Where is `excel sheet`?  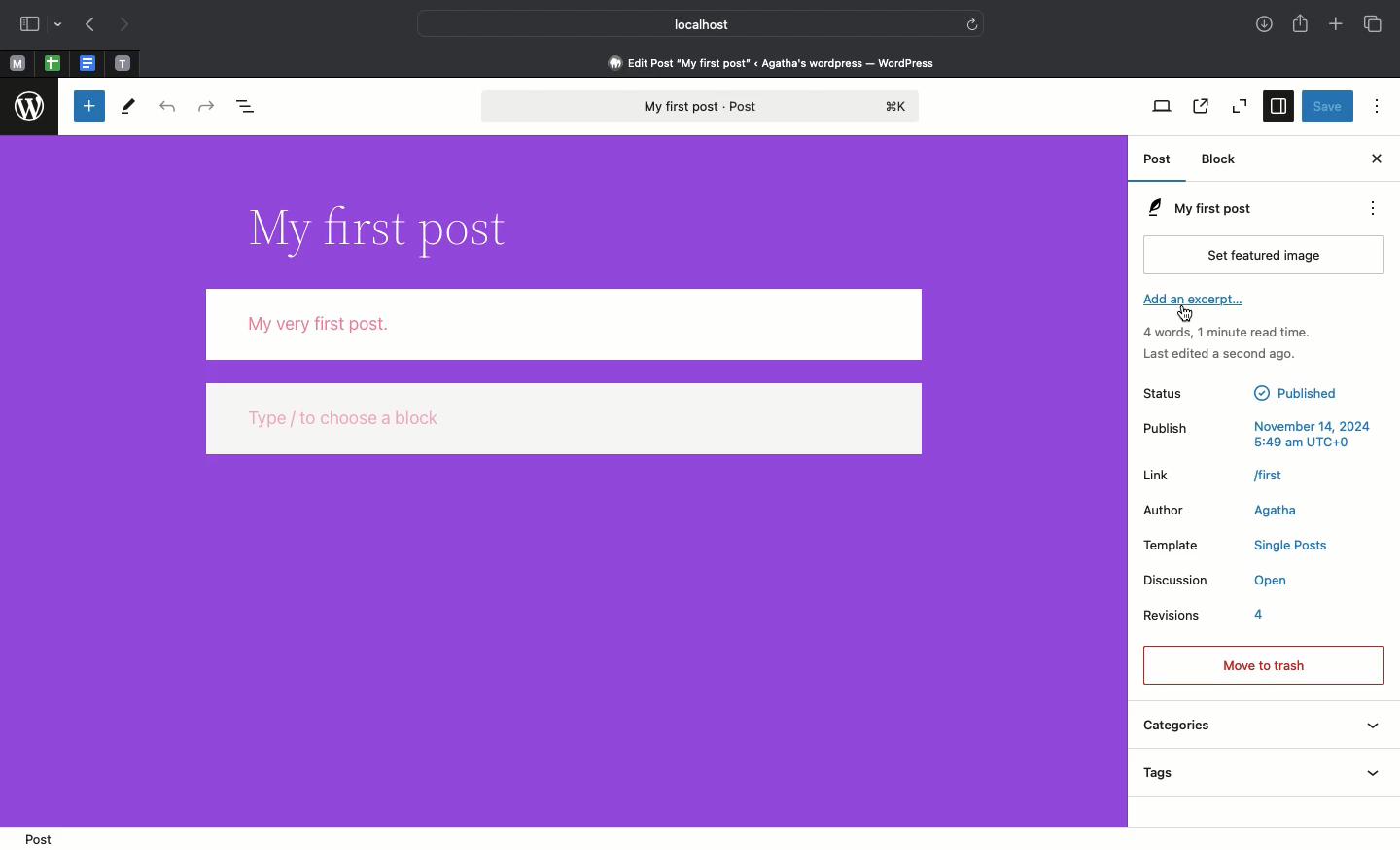
excel sheet is located at coordinates (51, 62).